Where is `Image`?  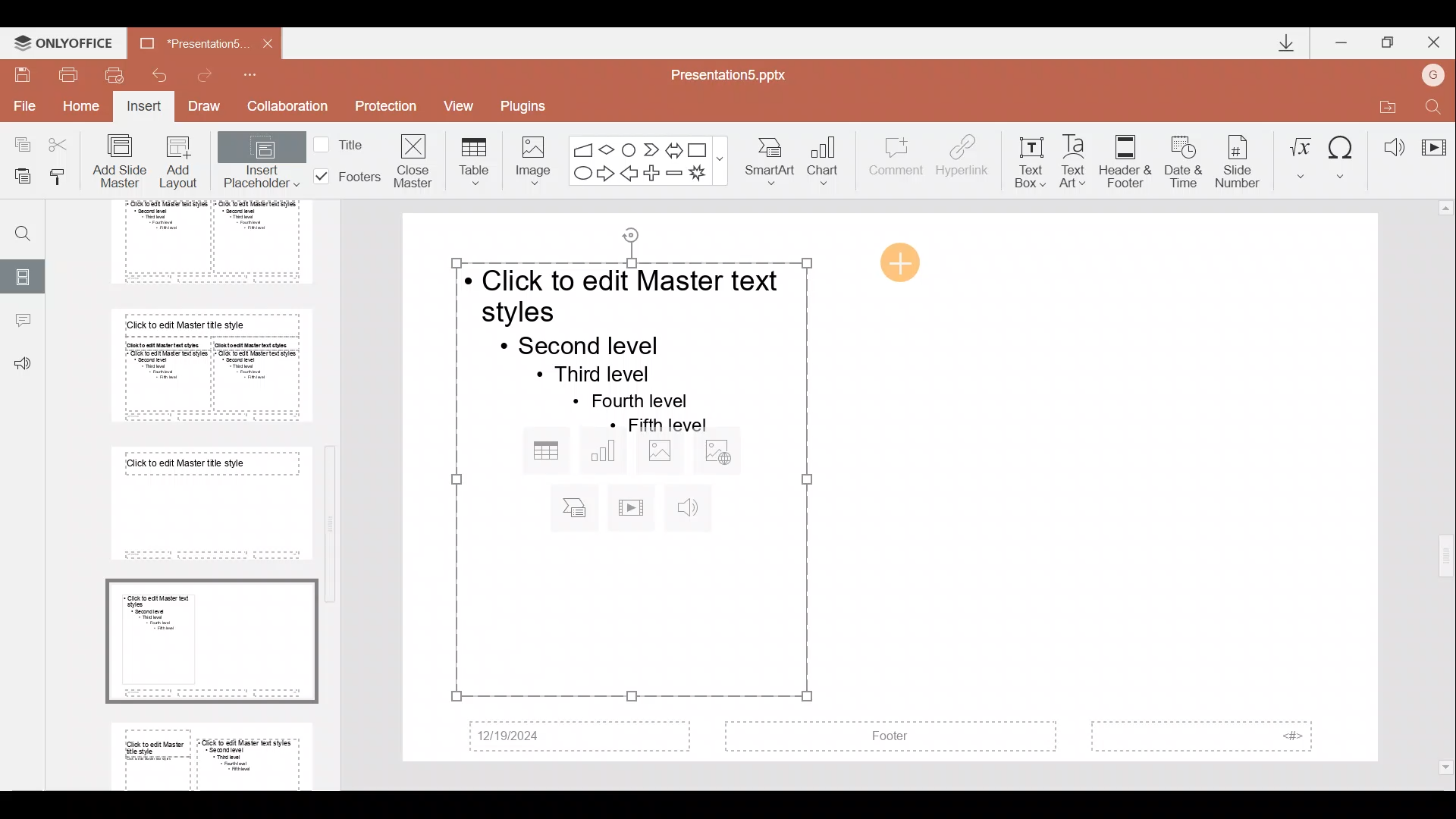
Image is located at coordinates (529, 158).